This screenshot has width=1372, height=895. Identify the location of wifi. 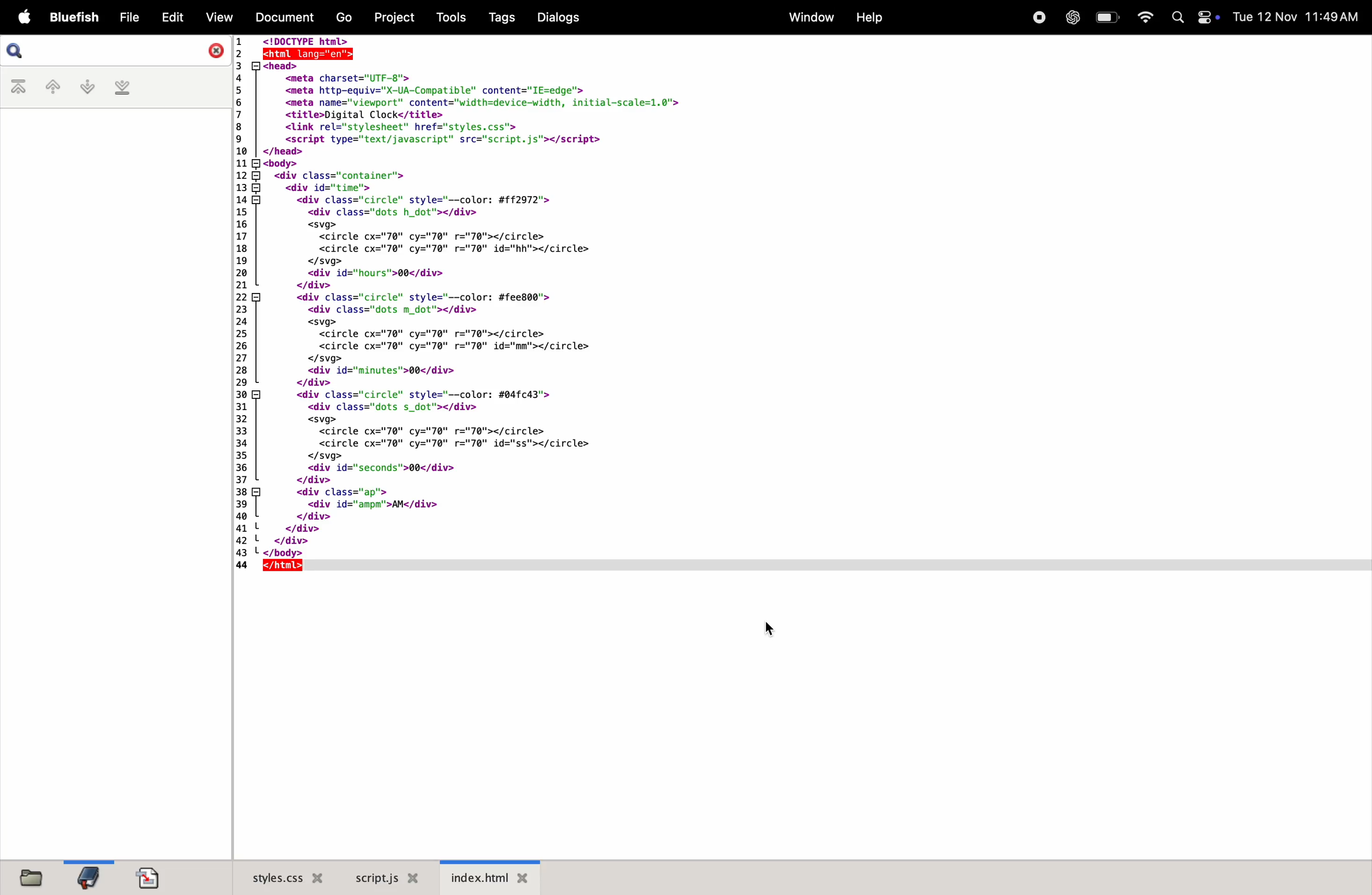
(1143, 17).